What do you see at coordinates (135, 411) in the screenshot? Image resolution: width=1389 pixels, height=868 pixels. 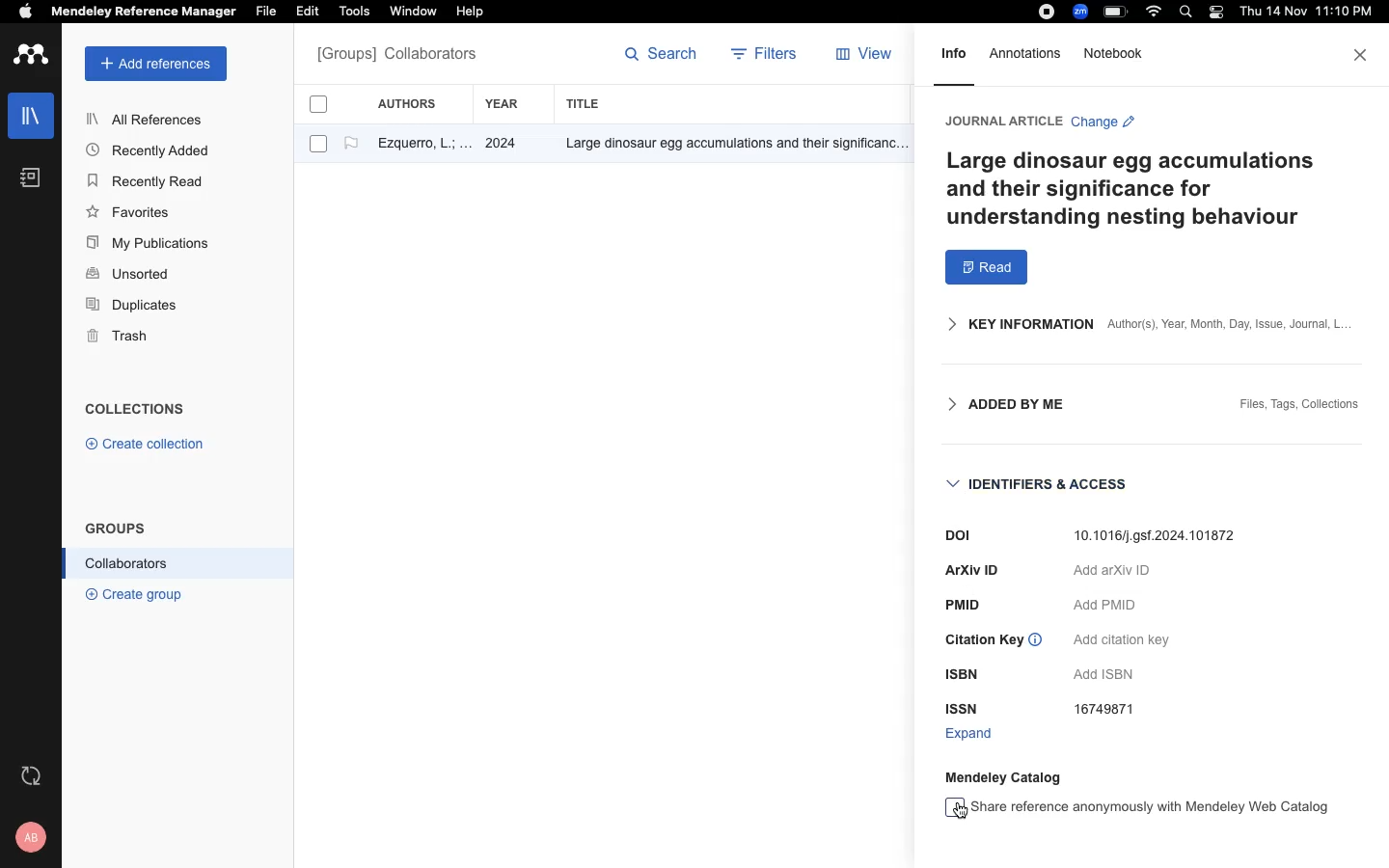 I see `COLLECTIONS` at bounding box center [135, 411].